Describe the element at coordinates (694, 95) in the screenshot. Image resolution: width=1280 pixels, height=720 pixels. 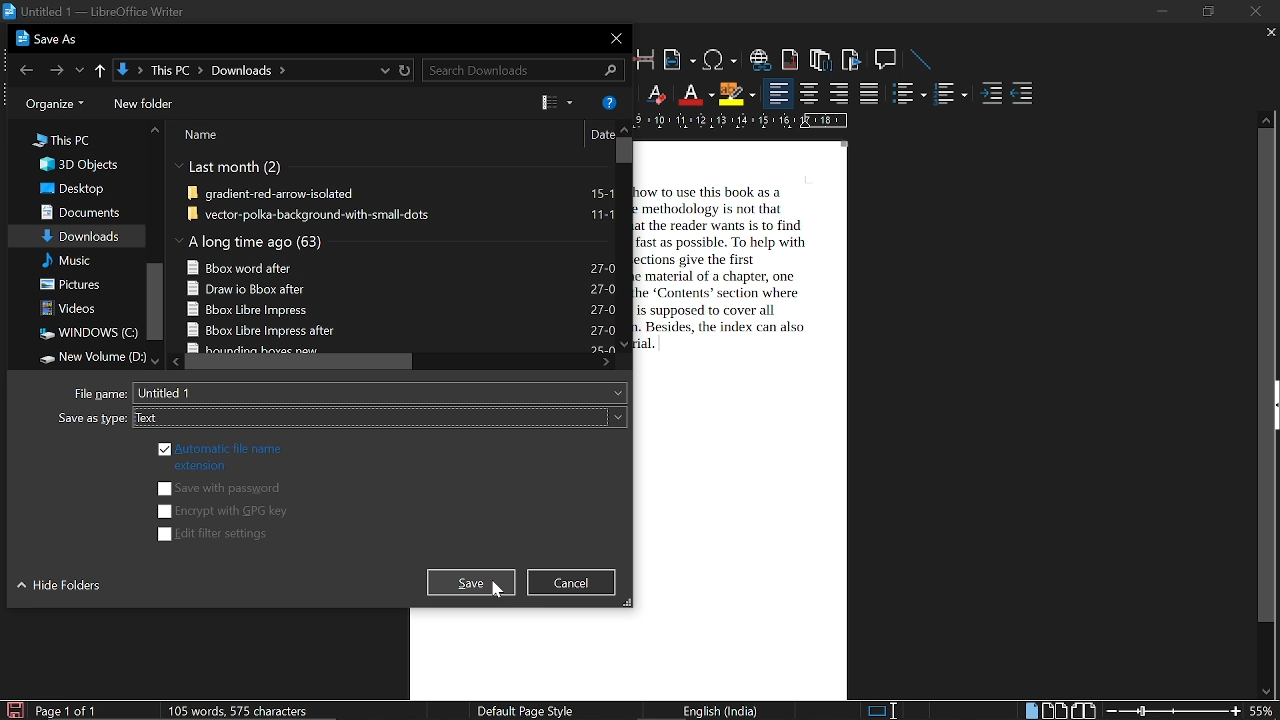
I see `font color` at that location.